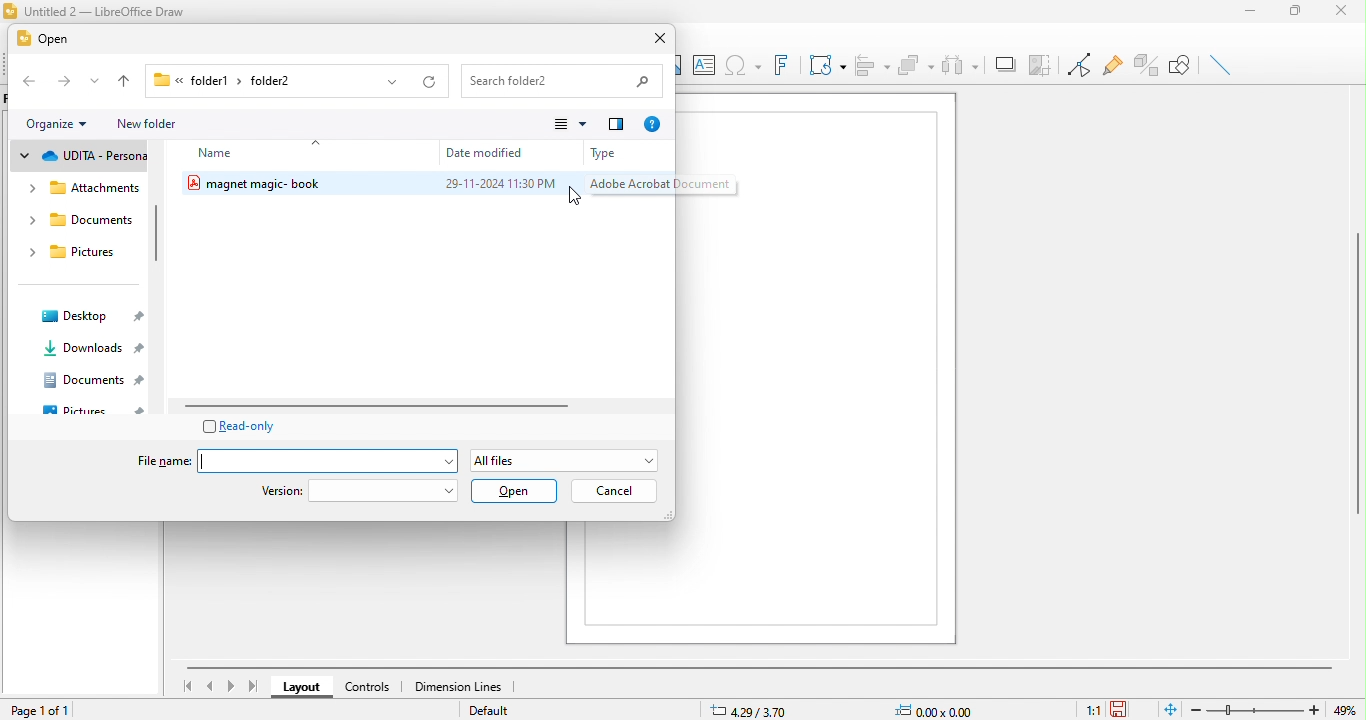  I want to click on refresh, so click(426, 82).